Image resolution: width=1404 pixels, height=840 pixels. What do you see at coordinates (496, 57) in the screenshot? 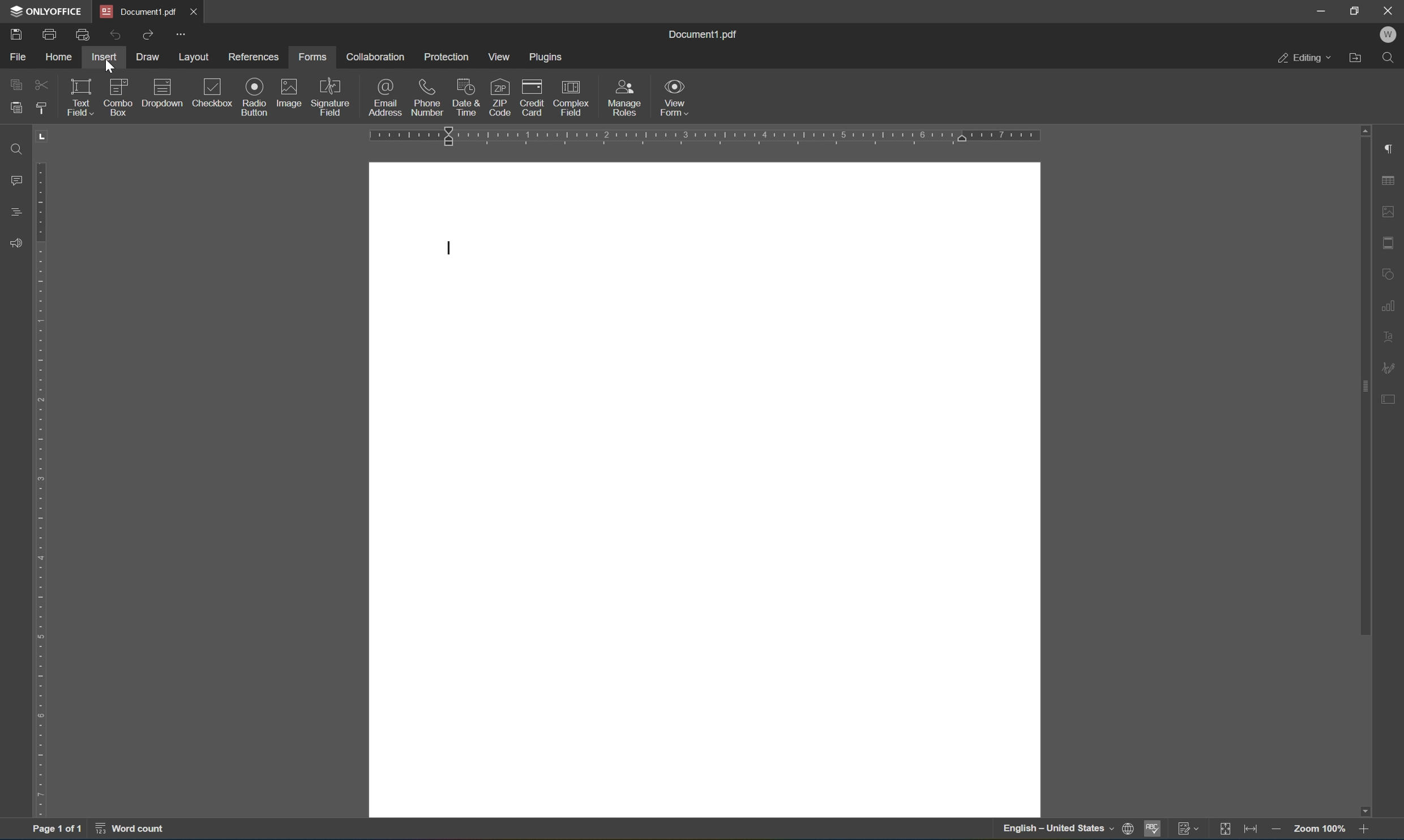
I see `view` at bounding box center [496, 57].